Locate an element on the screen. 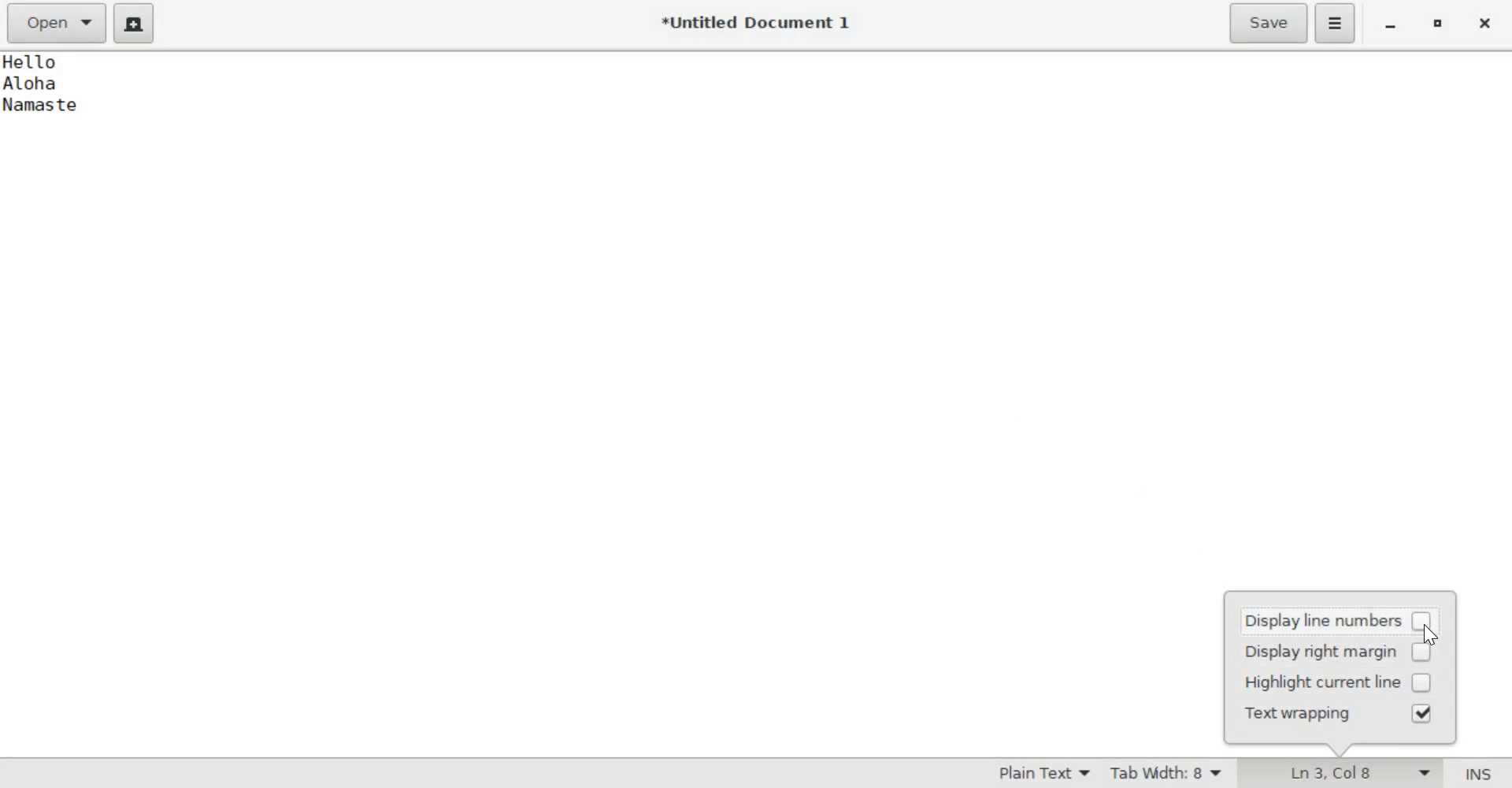 This screenshot has height=788, width=1512. Unselected Checkbox is located at coordinates (1422, 623).